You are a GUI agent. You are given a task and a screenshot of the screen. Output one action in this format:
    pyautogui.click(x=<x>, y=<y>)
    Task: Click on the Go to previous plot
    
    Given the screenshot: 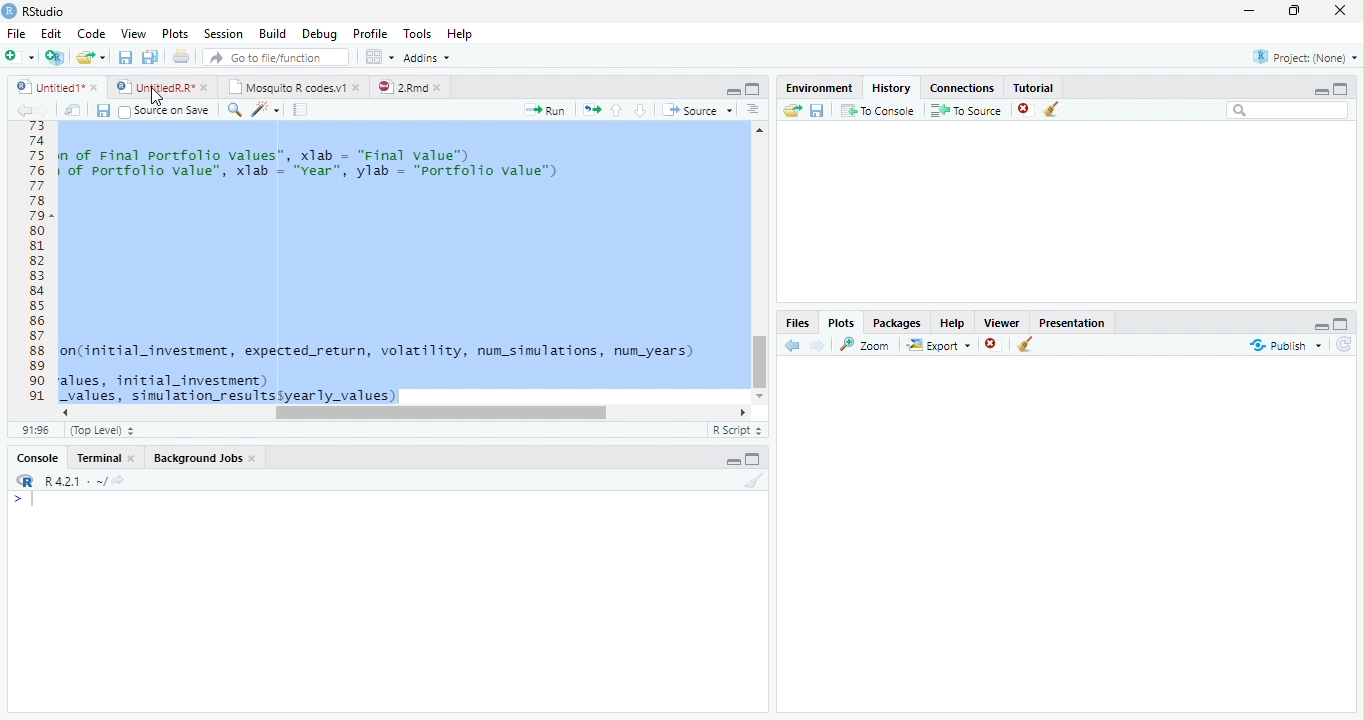 What is the action you would take?
    pyautogui.click(x=793, y=345)
    